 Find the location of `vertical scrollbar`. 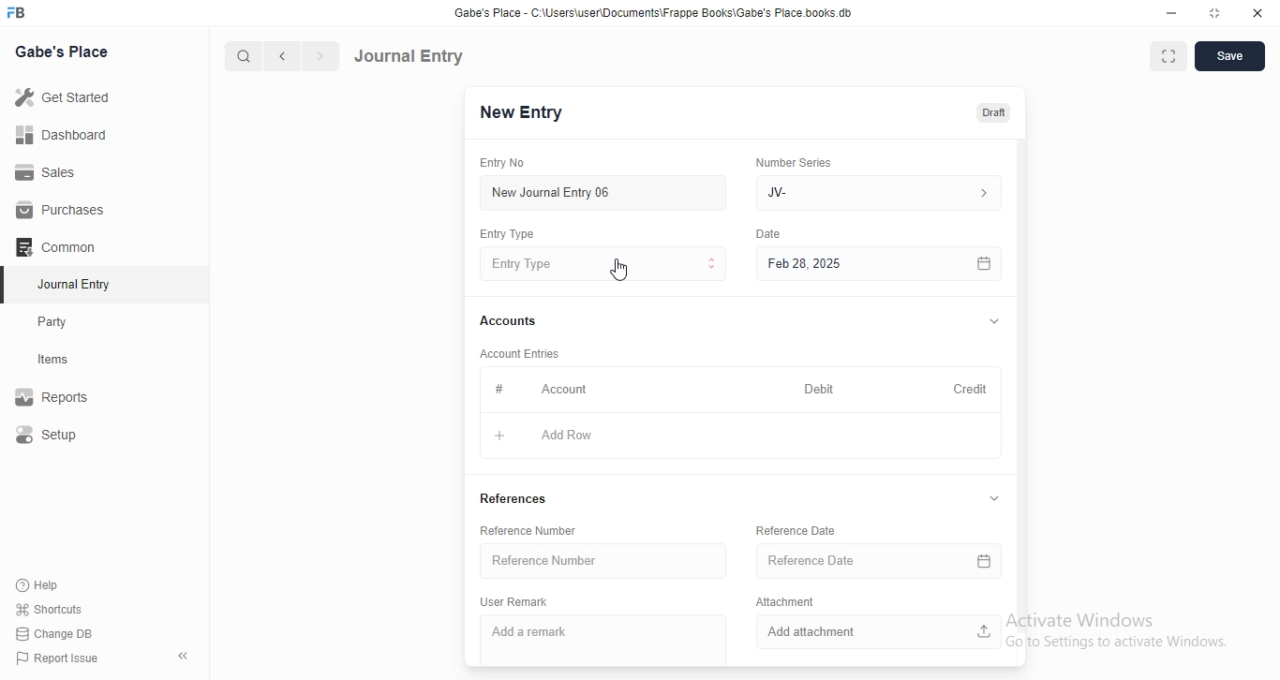

vertical scrollbar is located at coordinates (1020, 375).